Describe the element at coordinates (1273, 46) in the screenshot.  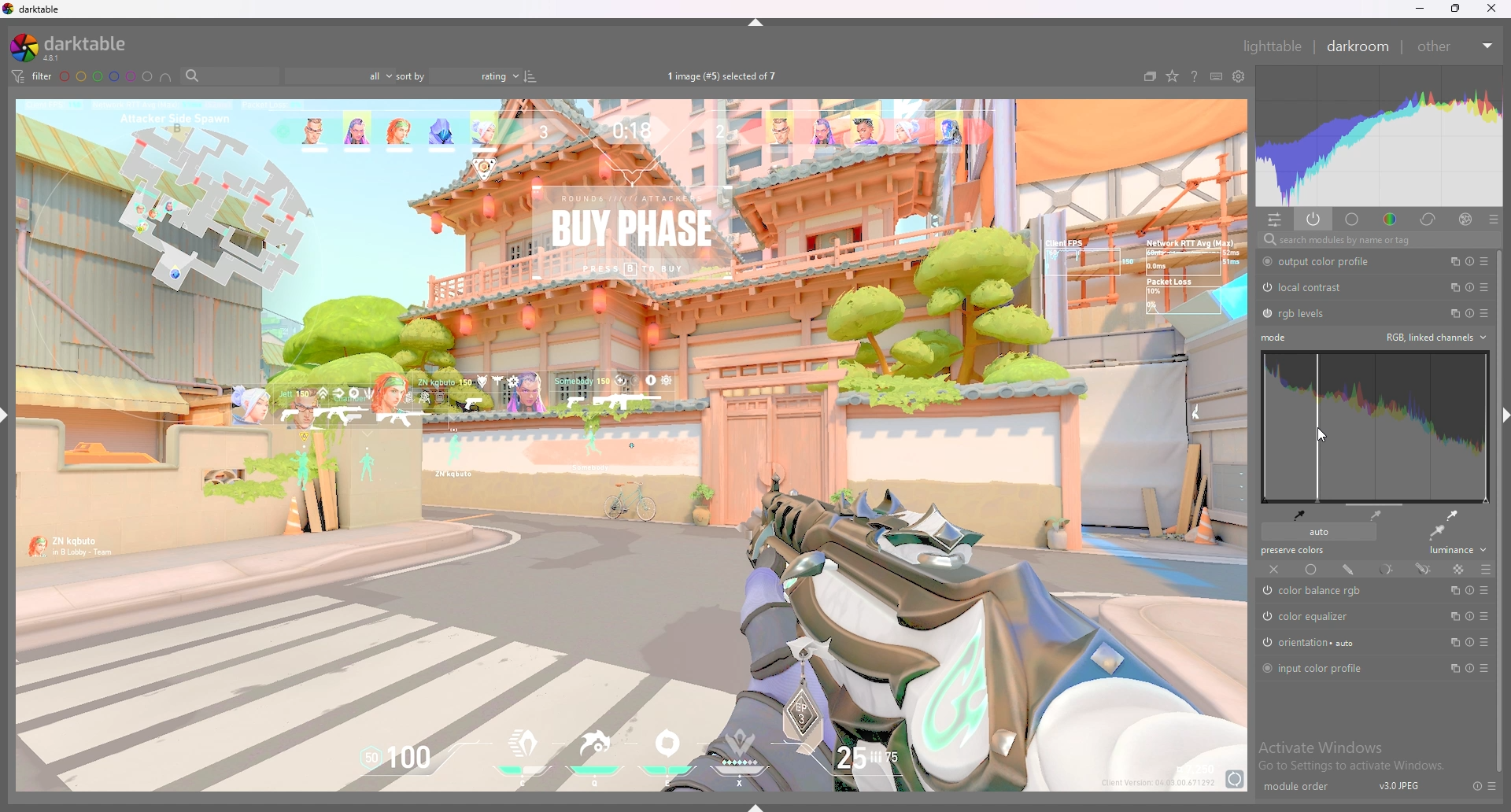
I see `lighttable` at that location.